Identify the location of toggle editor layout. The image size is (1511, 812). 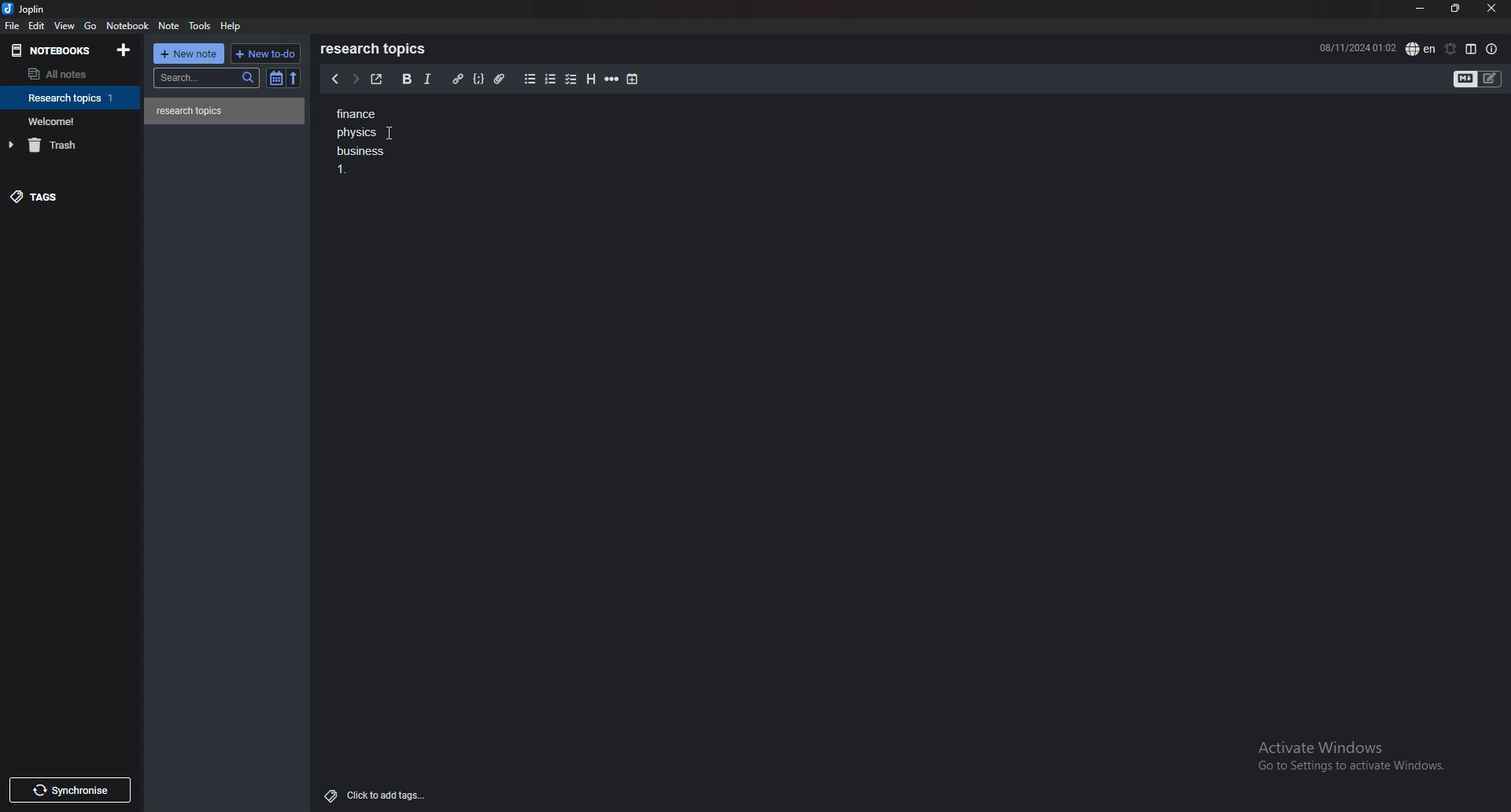
(1471, 49).